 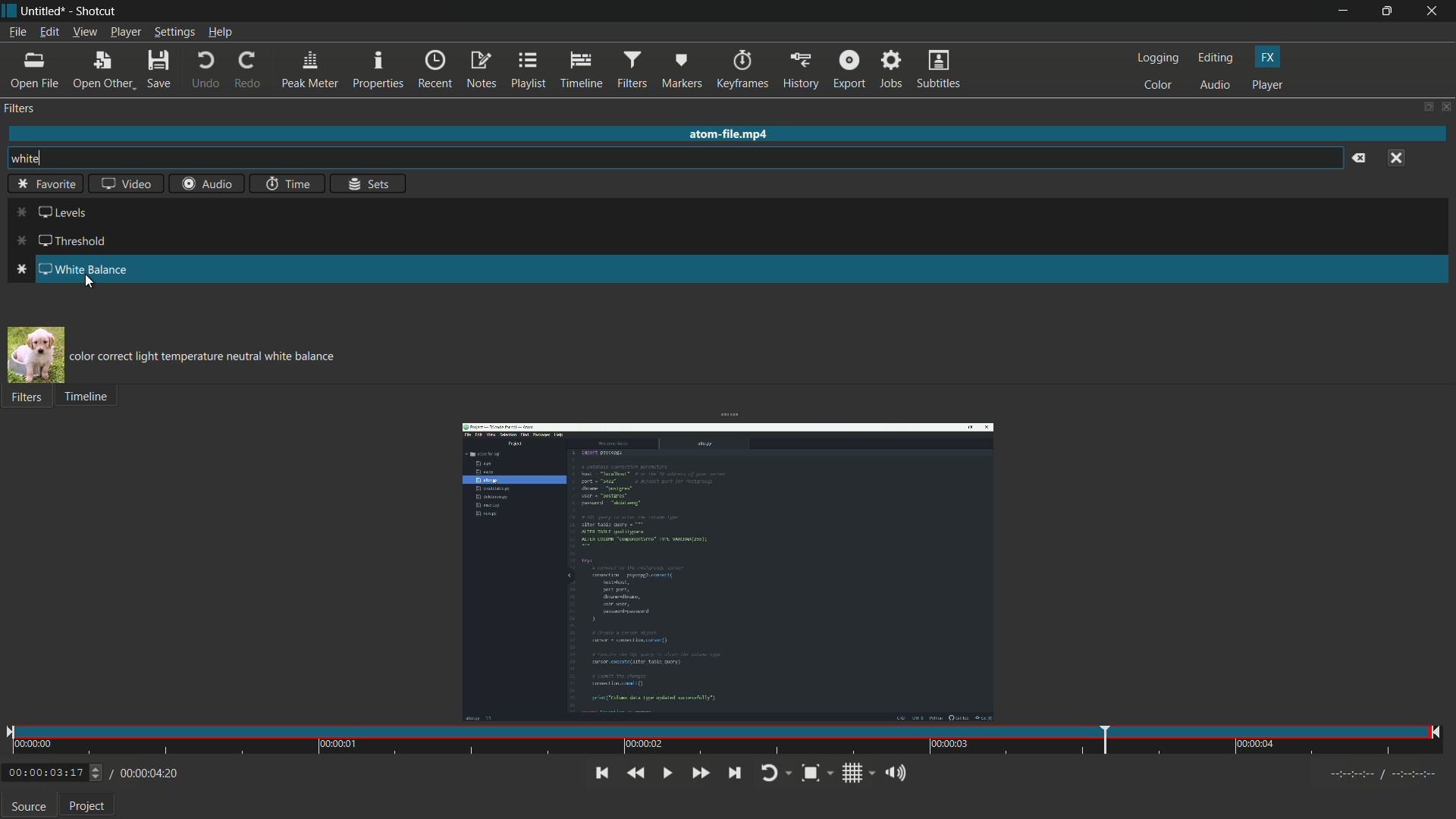 I want to click on history, so click(x=802, y=68).